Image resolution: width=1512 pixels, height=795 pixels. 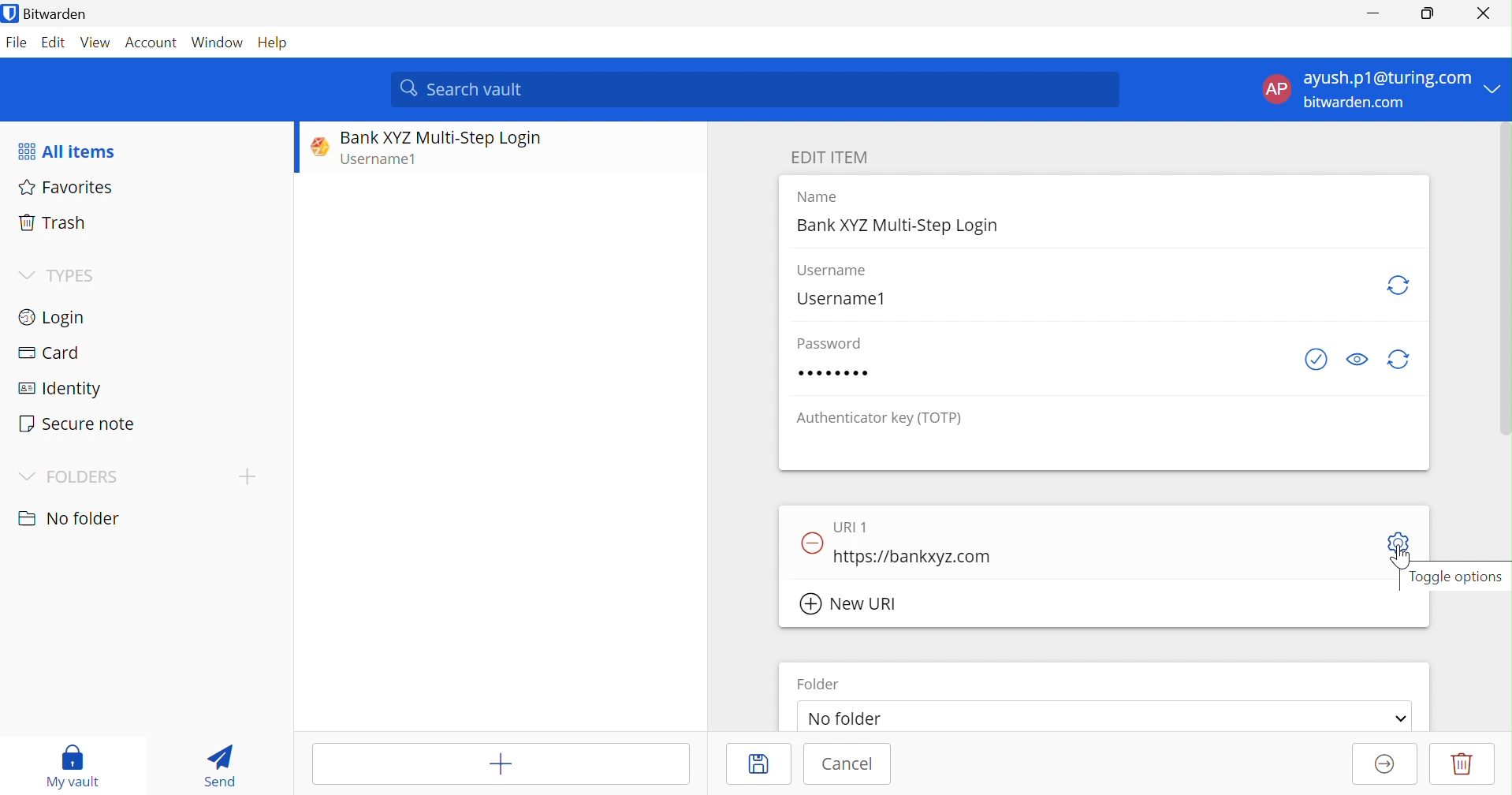 What do you see at coordinates (275, 44) in the screenshot?
I see `Help` at bounding box center [275, 44].